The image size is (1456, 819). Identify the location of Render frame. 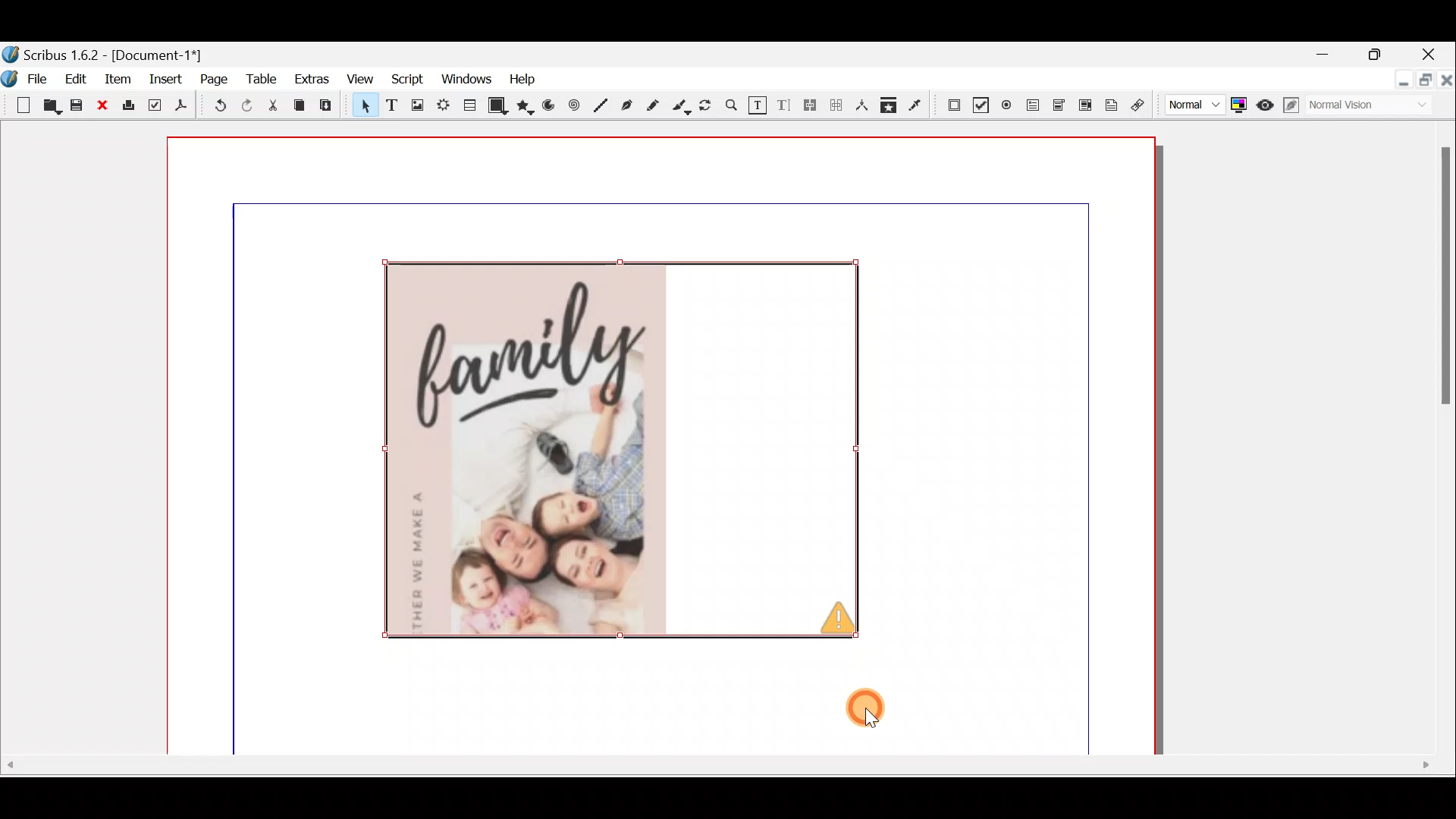
(442, 105).